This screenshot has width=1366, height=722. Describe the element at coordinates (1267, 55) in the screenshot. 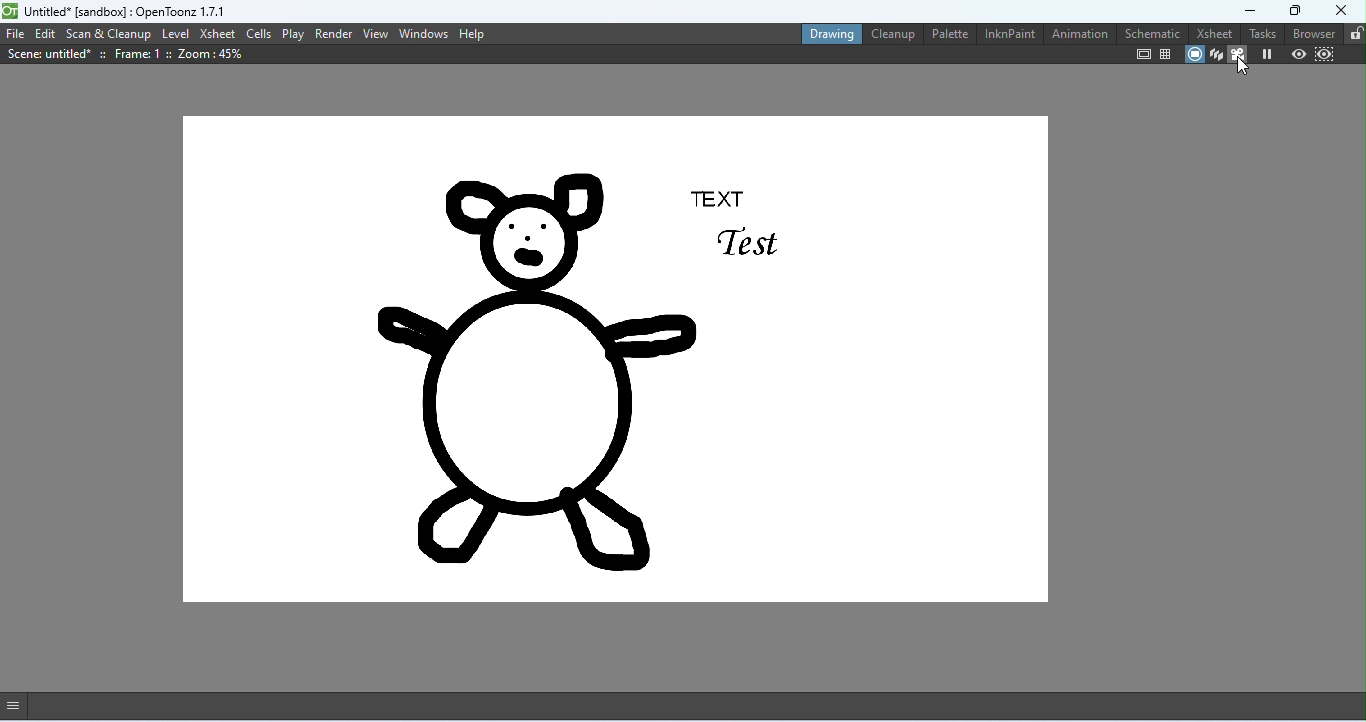

I see `freeze` at that location.